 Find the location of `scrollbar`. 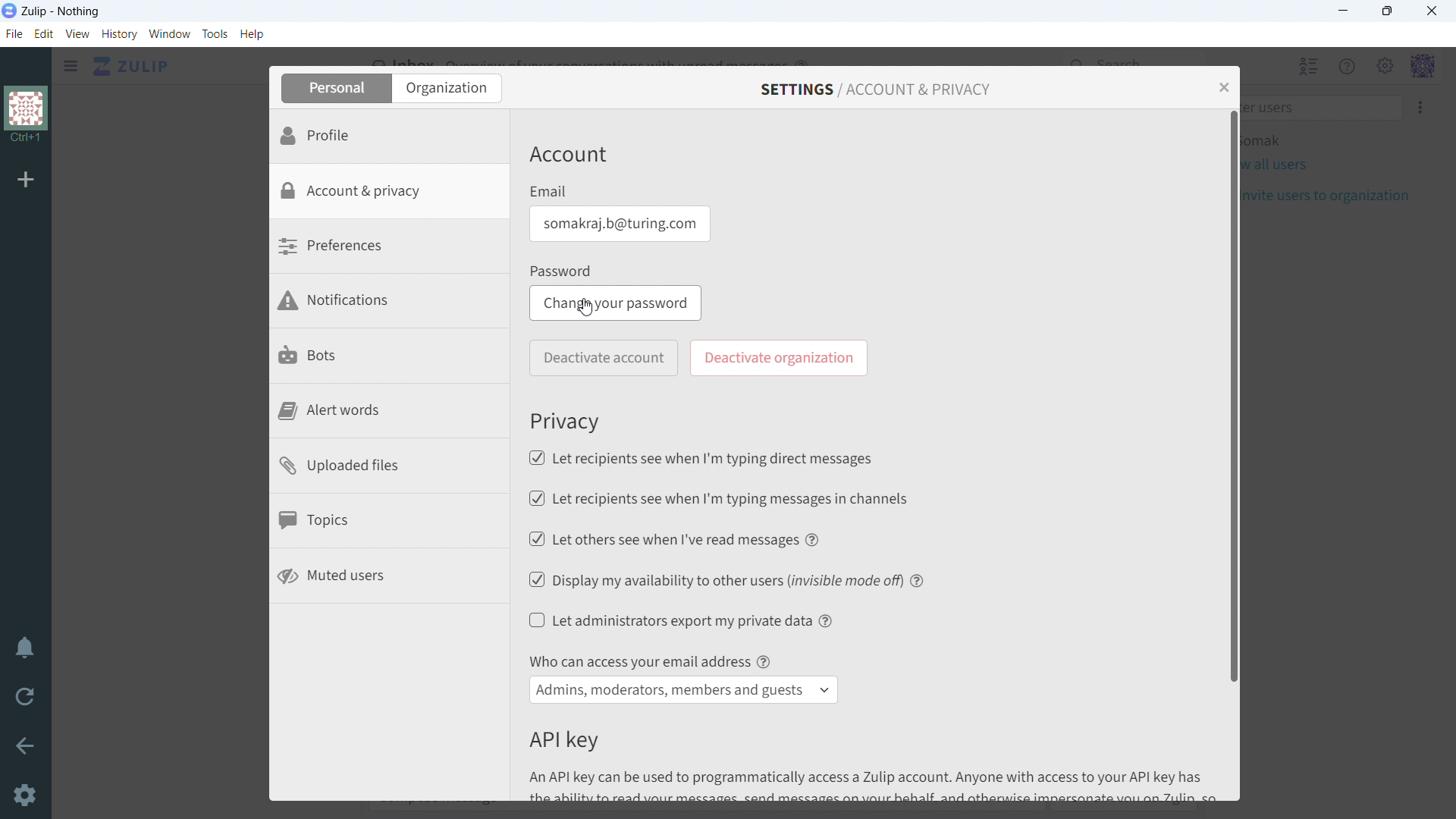

scrollbar is located at coordinates (1235, 394).